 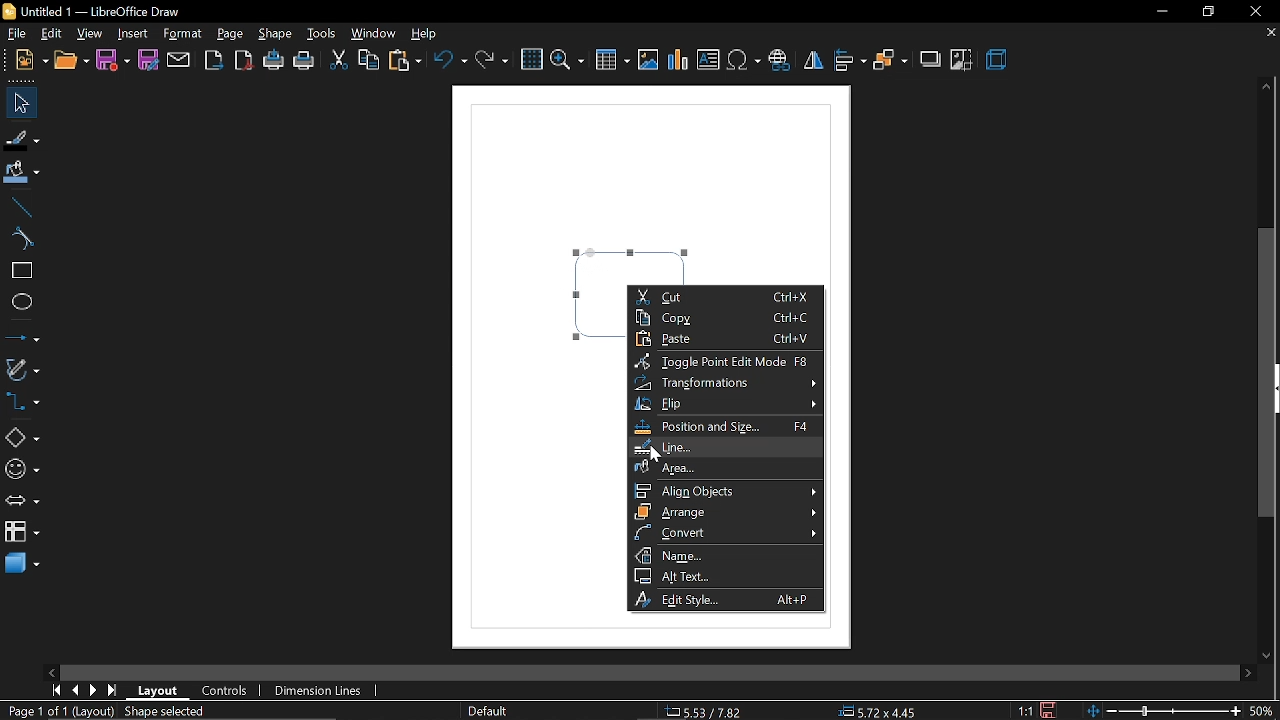 What do you see at coordinates (812, 63) in the screenshot?
I see `flip` at bounding box center [812, 63].